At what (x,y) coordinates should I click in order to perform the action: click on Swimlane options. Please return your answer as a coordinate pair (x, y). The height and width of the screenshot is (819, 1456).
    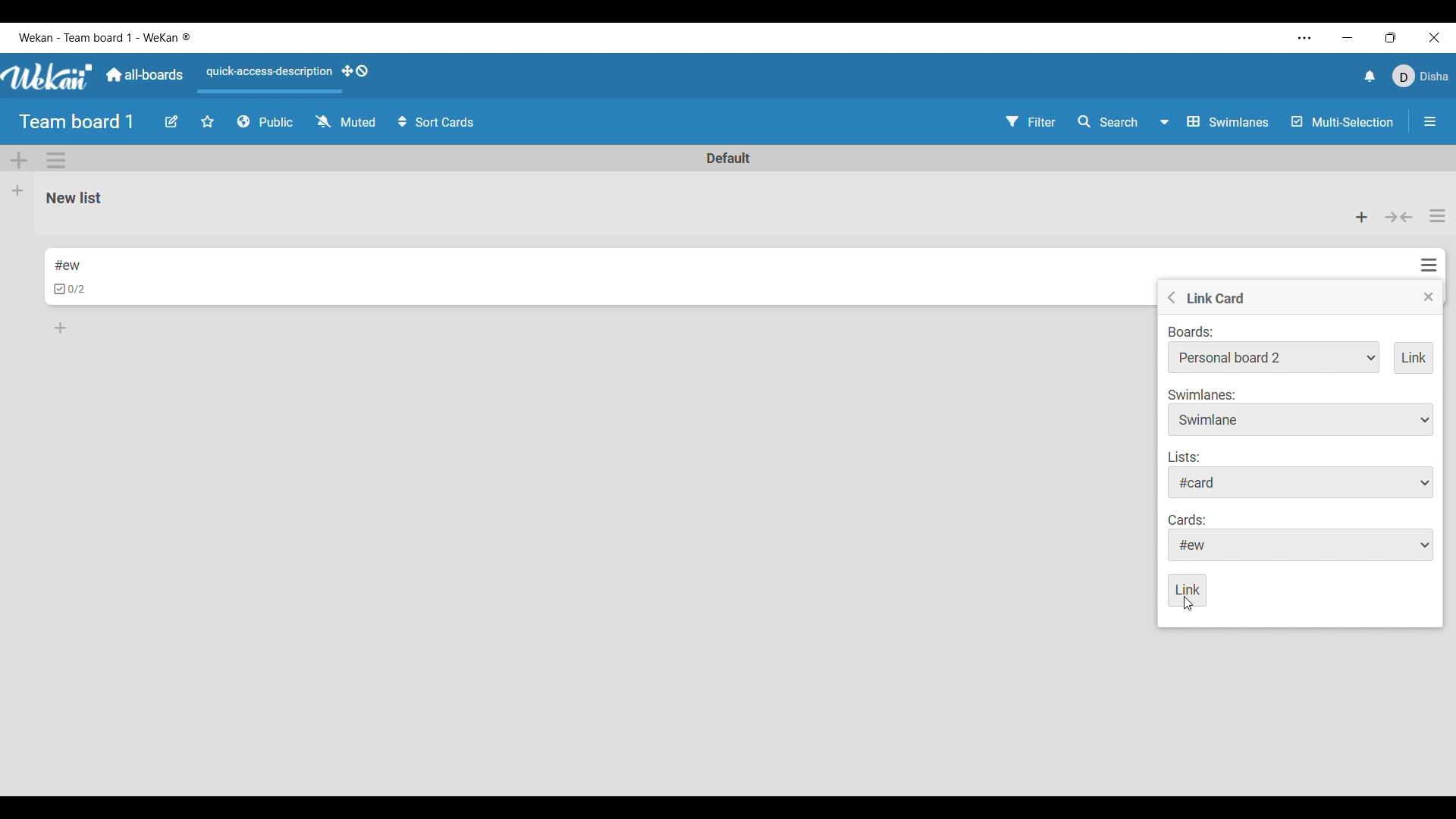
    Looking at the image, I should click on (1301, 420).